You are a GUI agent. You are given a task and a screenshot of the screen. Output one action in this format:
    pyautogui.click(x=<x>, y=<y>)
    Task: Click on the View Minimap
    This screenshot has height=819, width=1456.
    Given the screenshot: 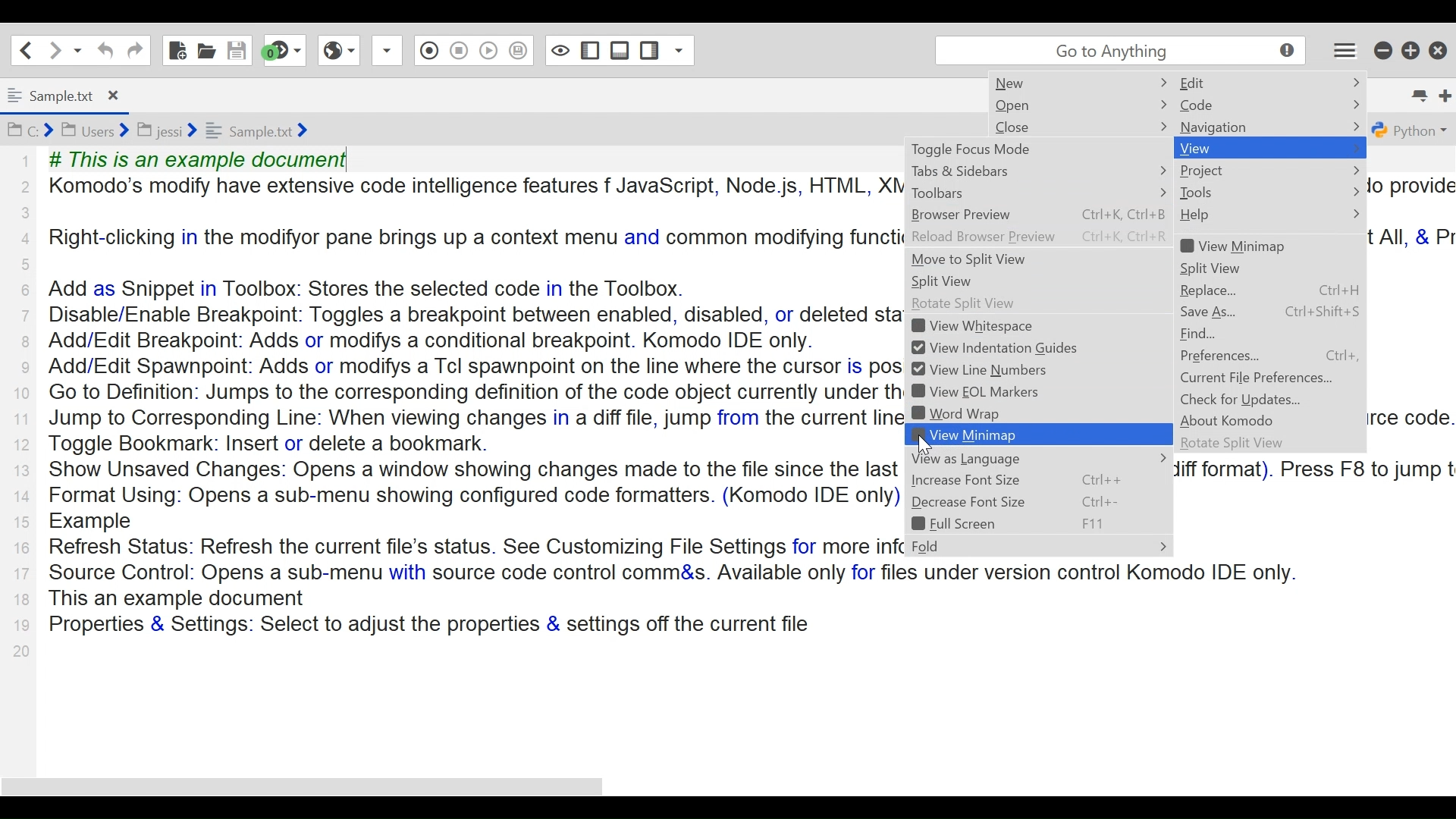 What is the action you would take?
    pyautogui.click(x=1040, y=434)
    